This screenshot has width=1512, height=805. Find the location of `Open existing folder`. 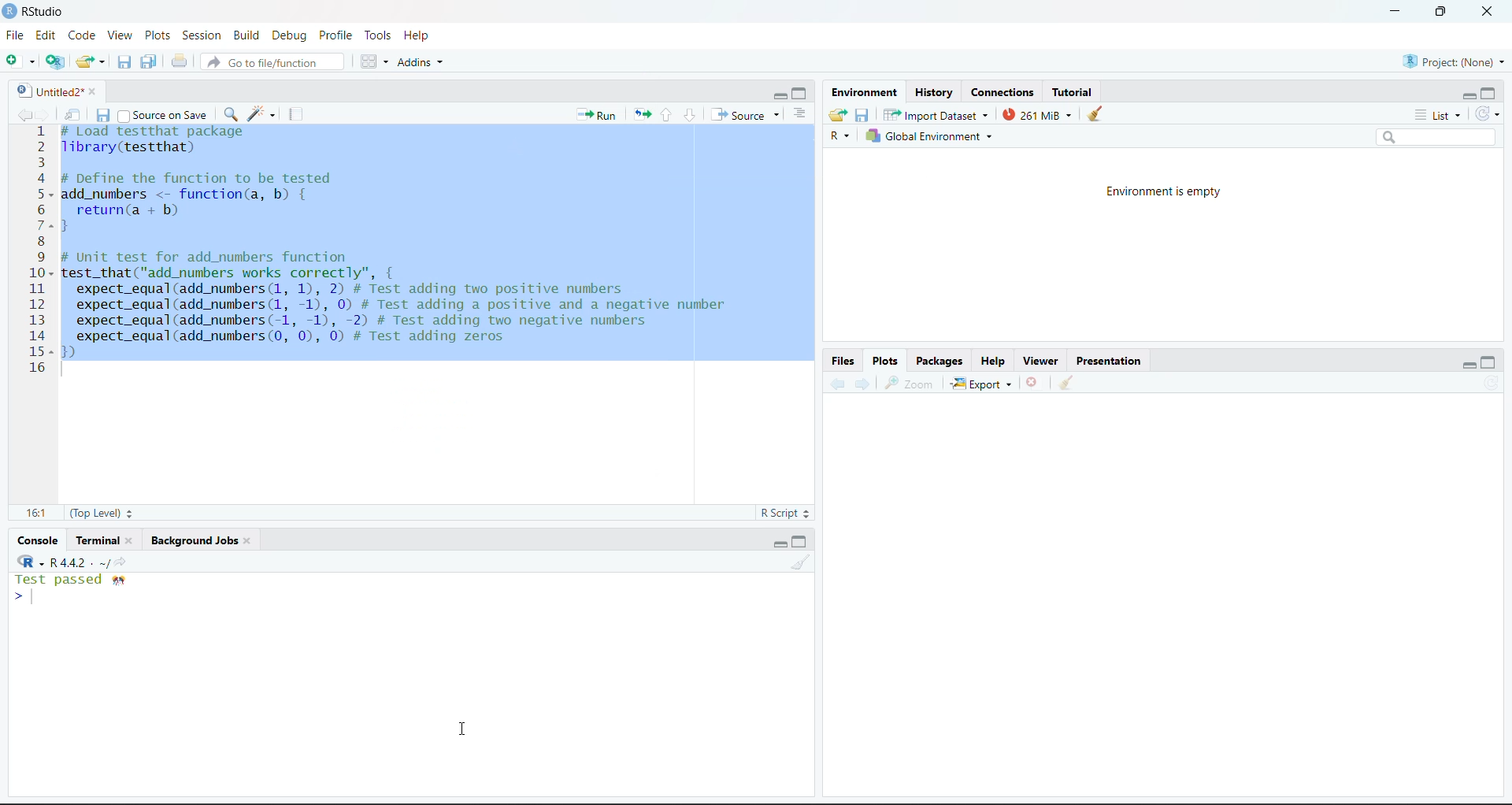

Open existing folder is located at coordinates (89, 61).